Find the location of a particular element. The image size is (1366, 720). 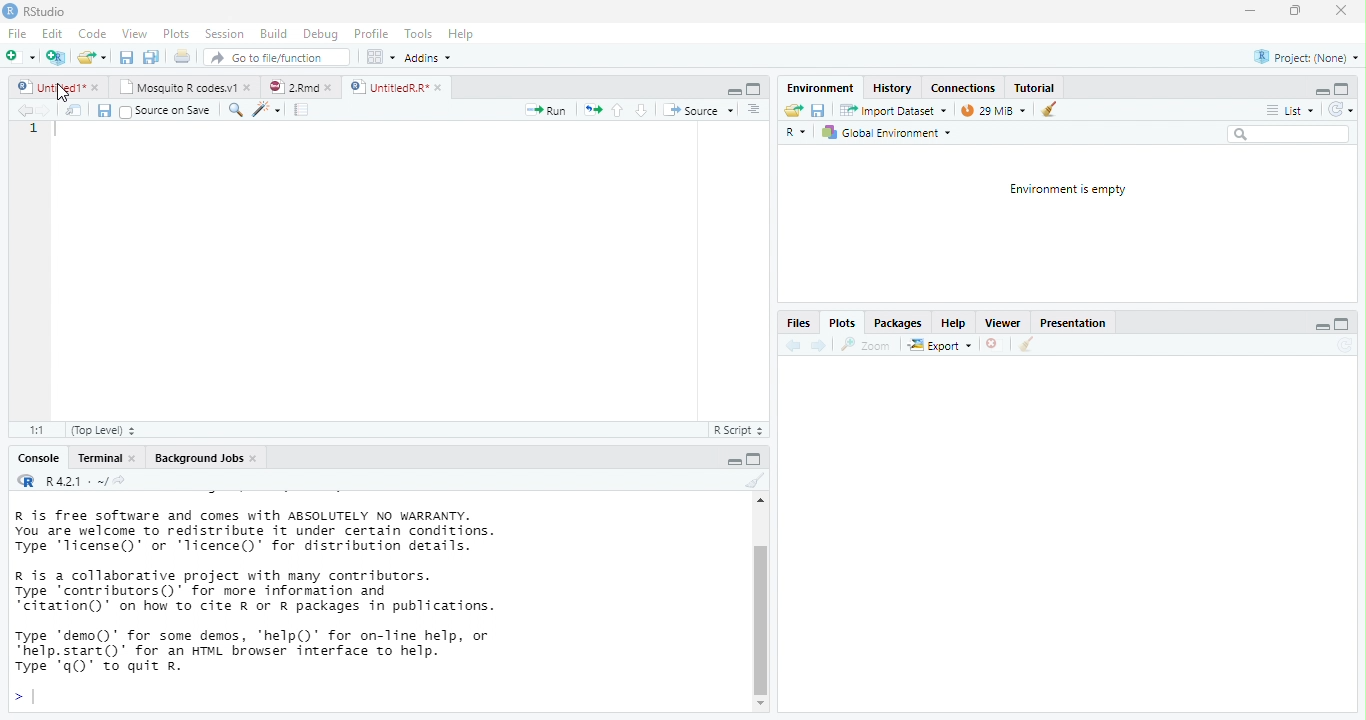

Console is located at coordinates (37, 459).